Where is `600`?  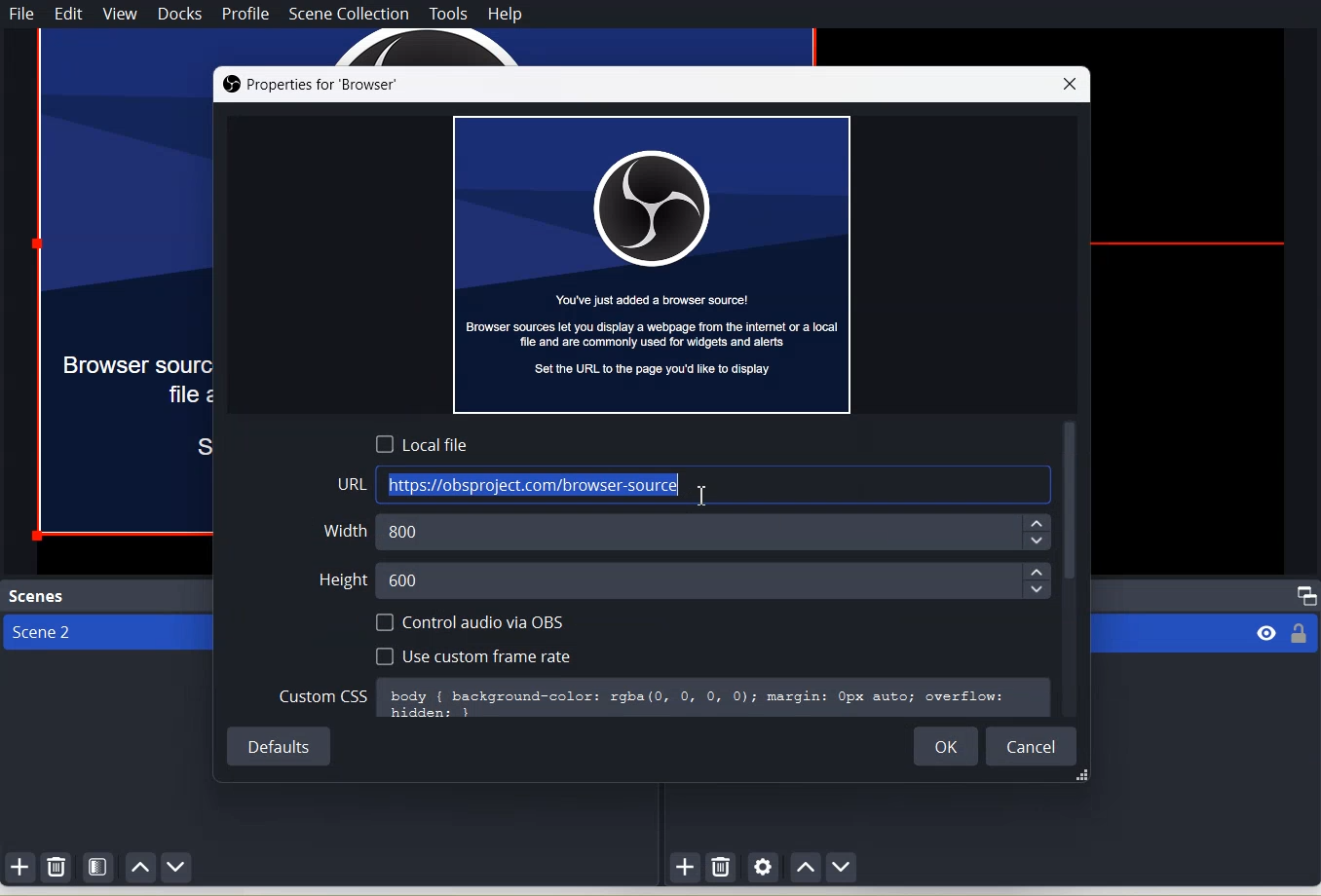 600 is located at coordinates (711, 582).